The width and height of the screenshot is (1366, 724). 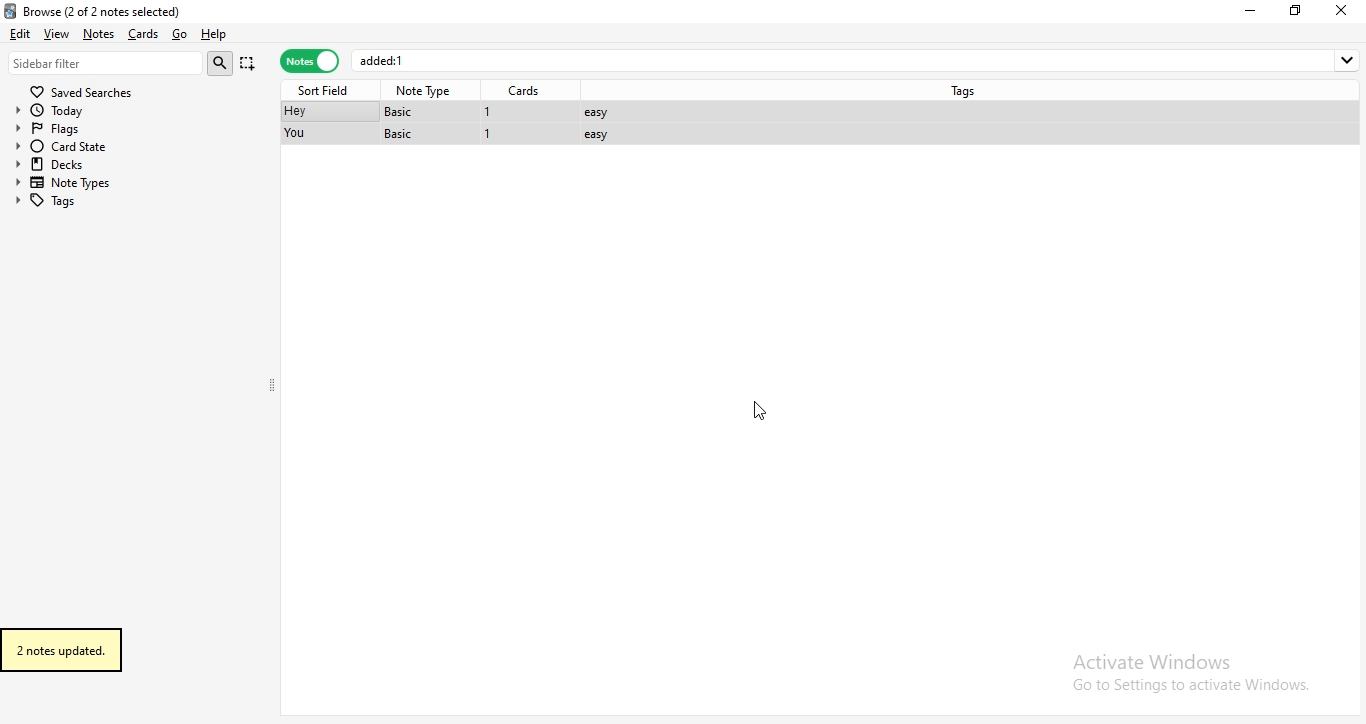 I want to click on edit, so click(x=19, y=32).